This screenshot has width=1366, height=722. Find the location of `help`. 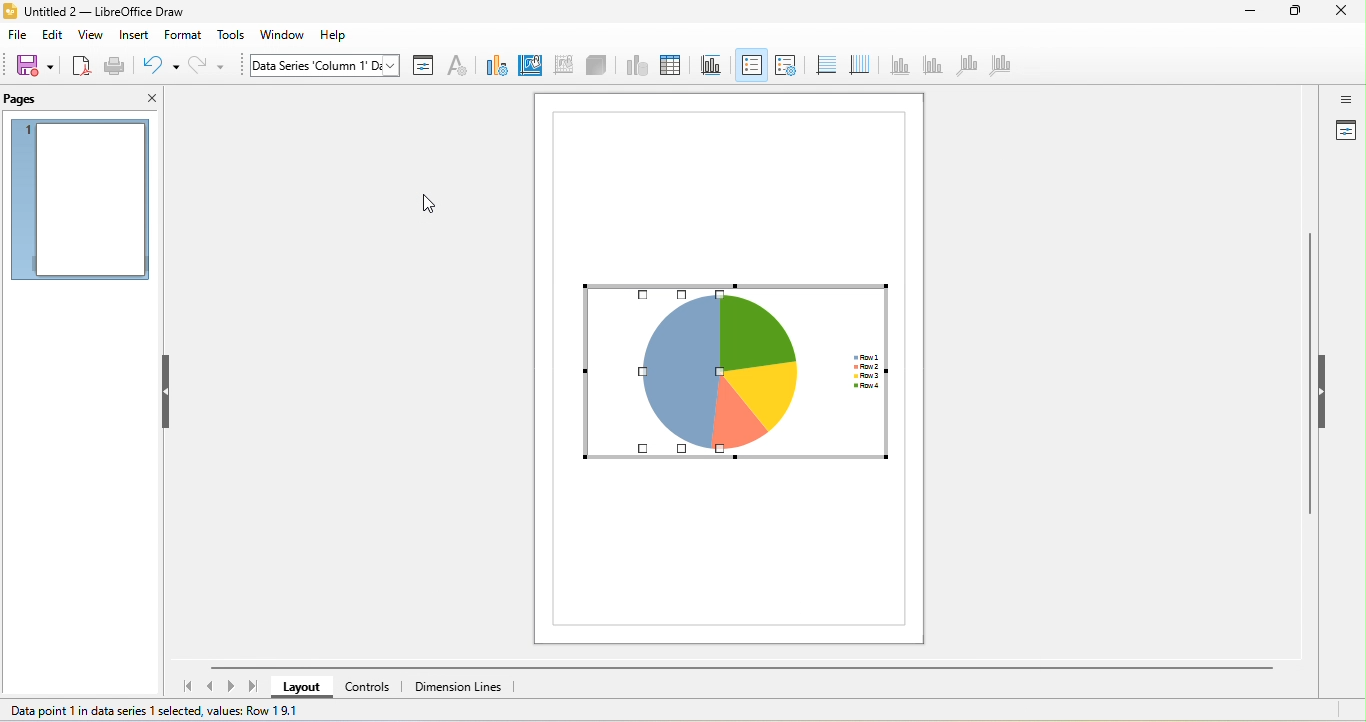

help is located at coordinates (338, 35).